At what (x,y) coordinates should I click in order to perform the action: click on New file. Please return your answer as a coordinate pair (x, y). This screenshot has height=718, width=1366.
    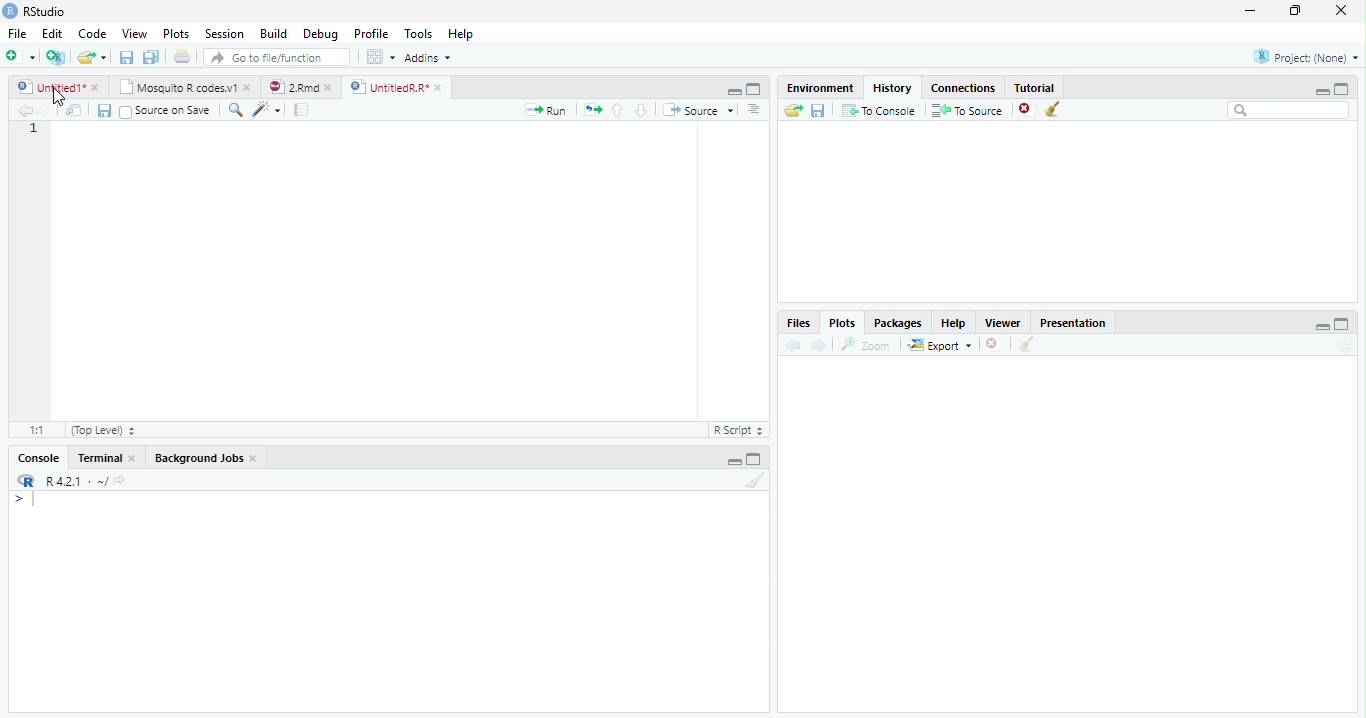
    Looking at the image, I should click on (19, 56).